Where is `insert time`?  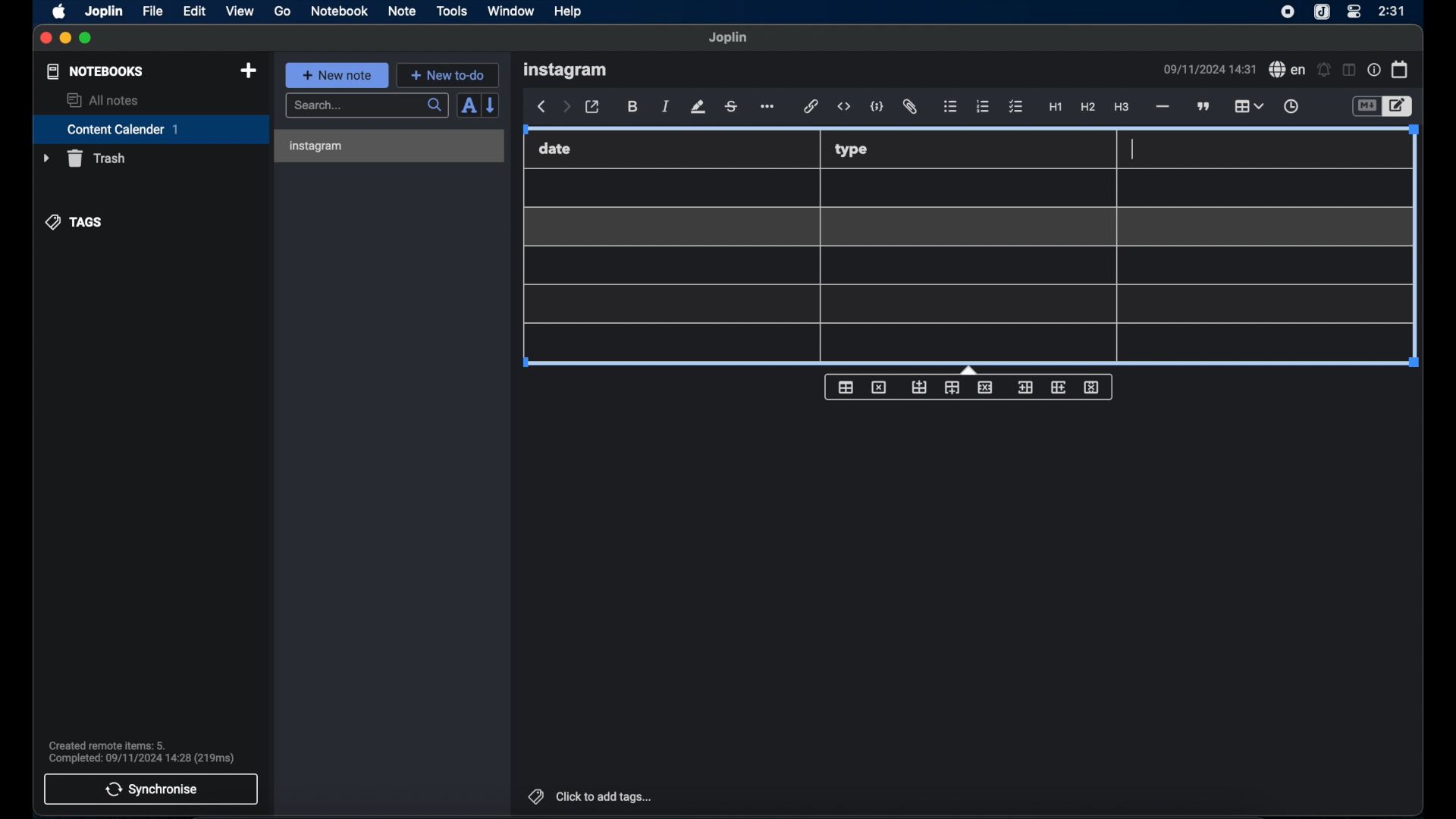 insert time is located at coordinates (1292, 106).